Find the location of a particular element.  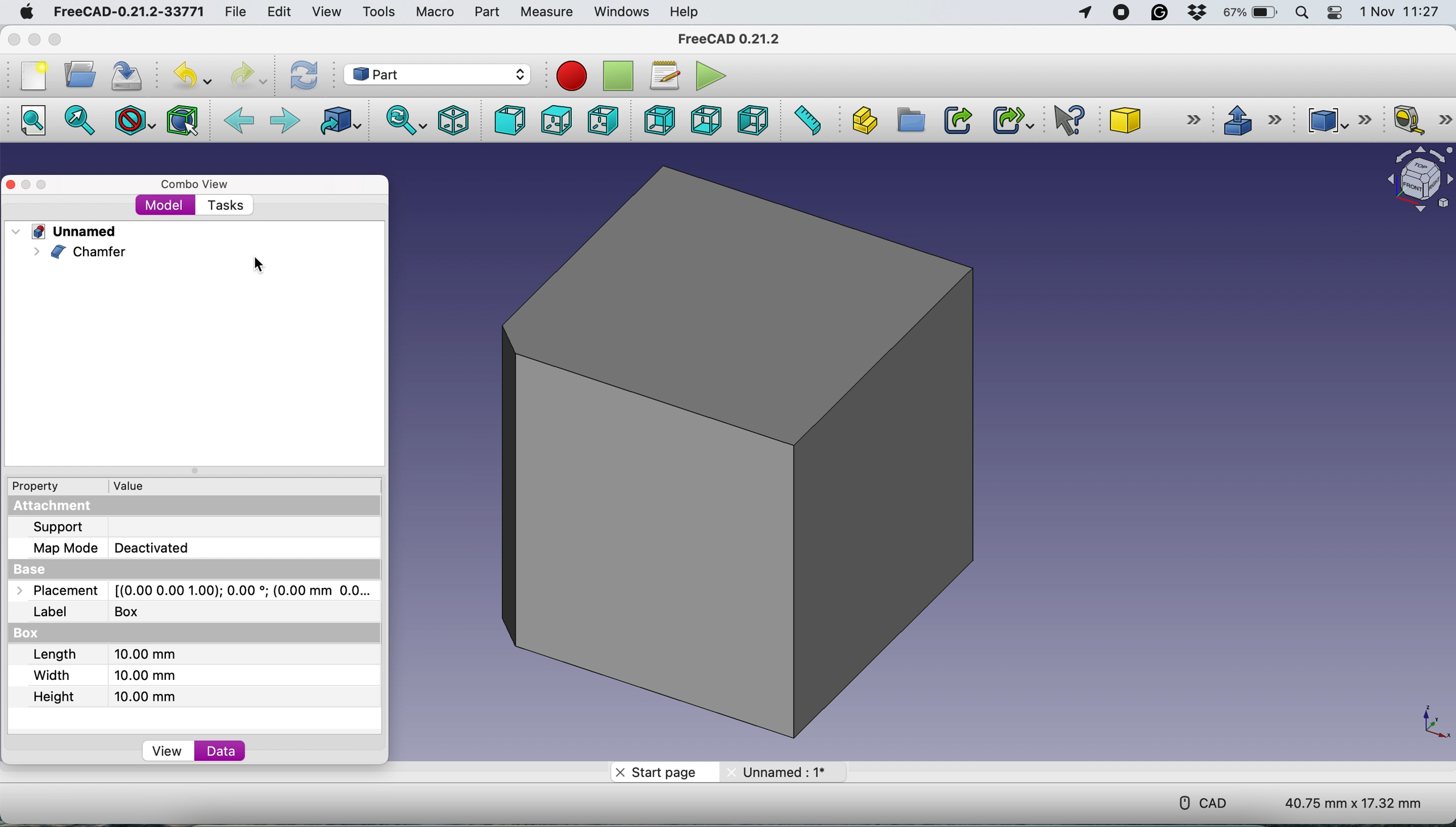

sync view is located at coordinates (401, 122).